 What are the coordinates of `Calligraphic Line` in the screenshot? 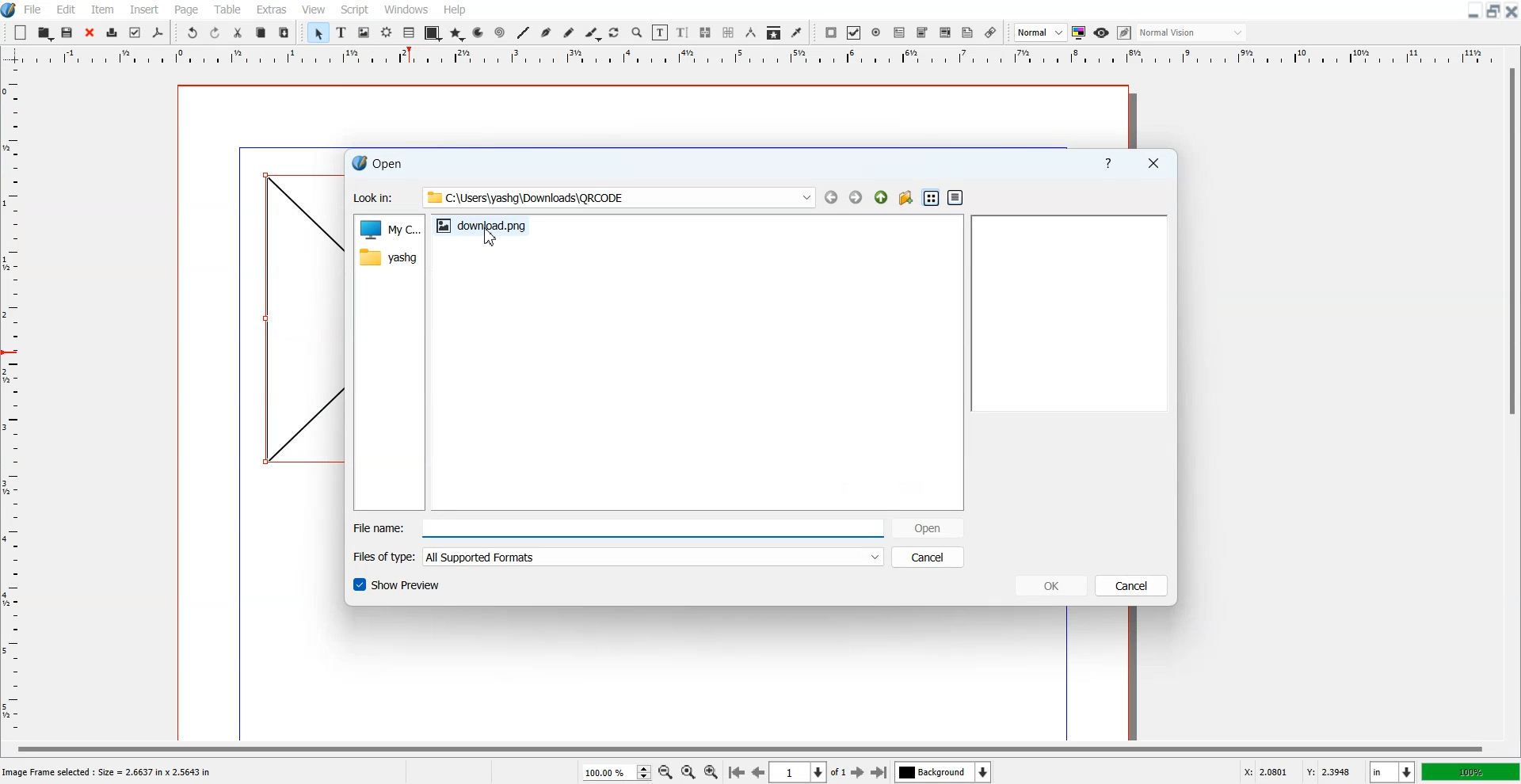 It's located at (592, 33).